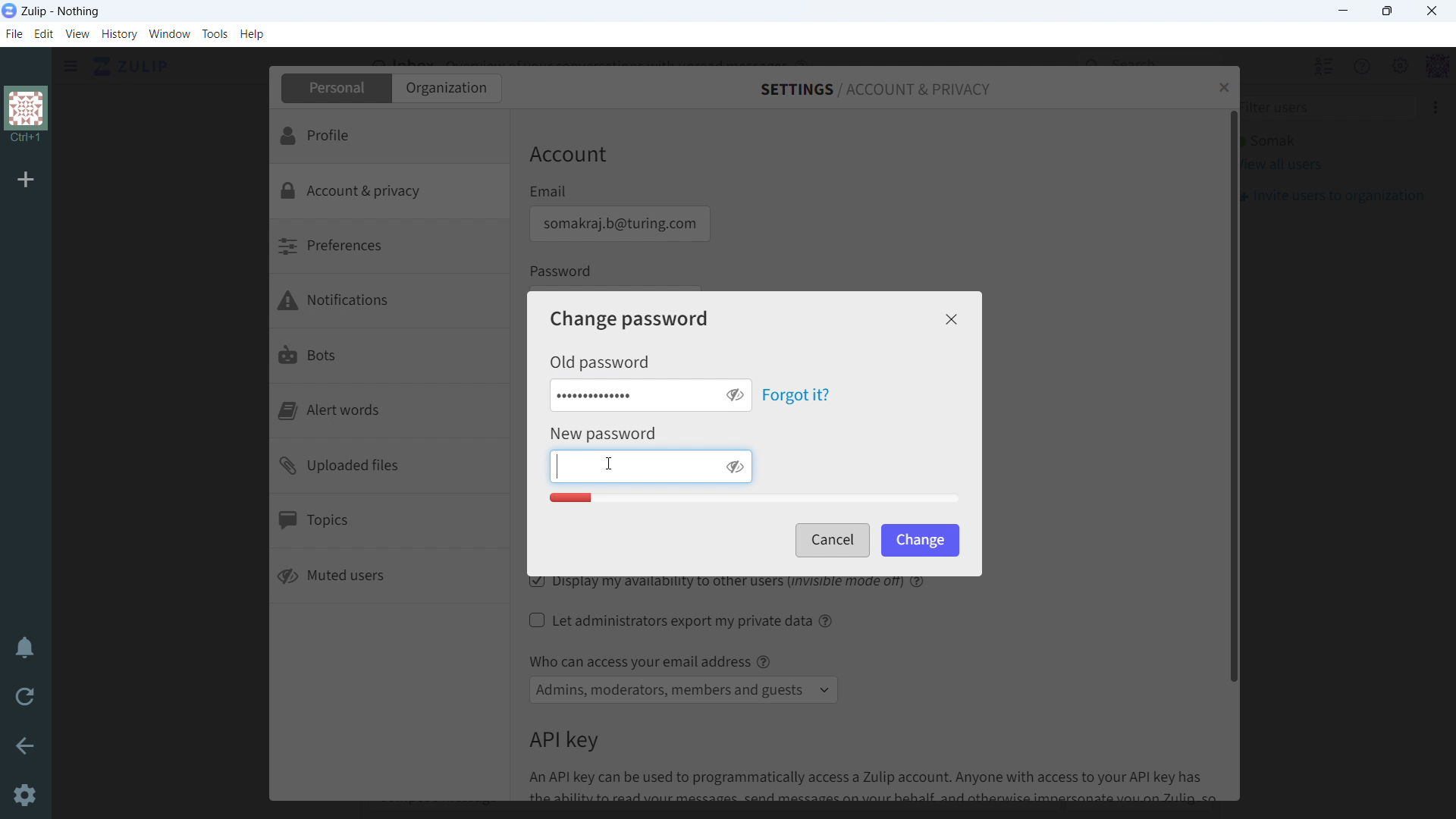 This screenshot has width=1456, height=819. I want to click on enter new password, so click(631, 467).